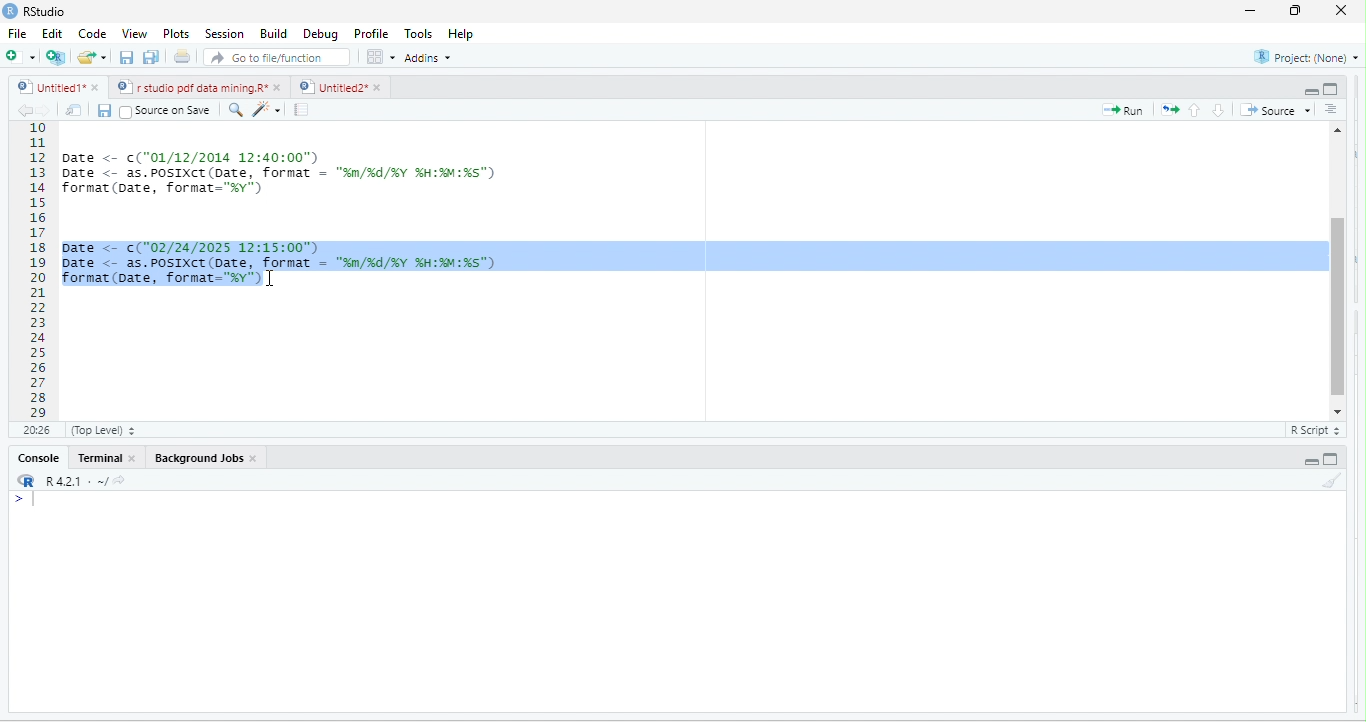 This screenshot has width=1366, height=722. What do you see at coordinates (47, 111) in the screenshot?
I see `go forward to the next source location` at bounding box center [47, 111].